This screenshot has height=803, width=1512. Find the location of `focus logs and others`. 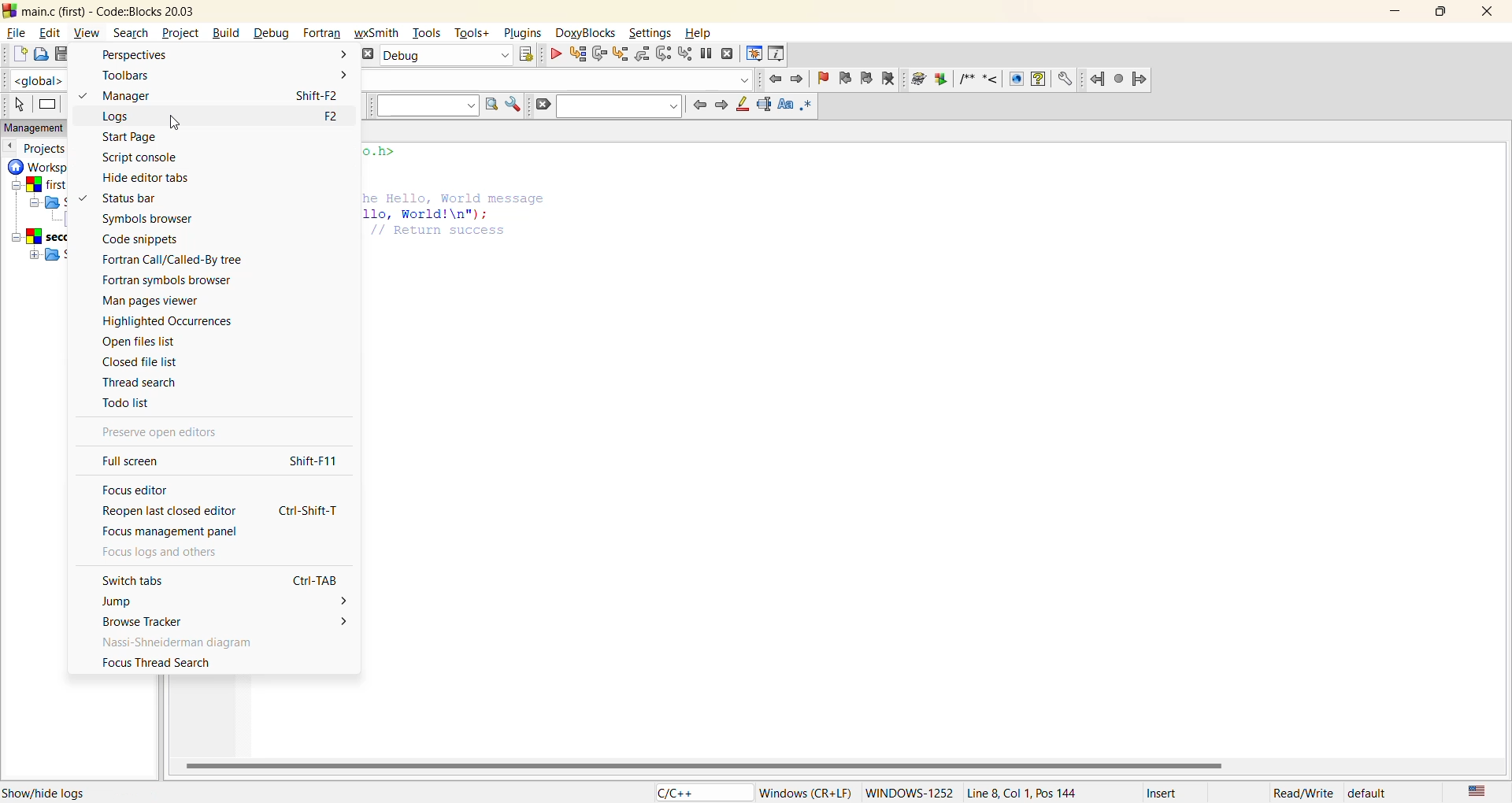

focus logs and others is located at coordinates (170, 552).